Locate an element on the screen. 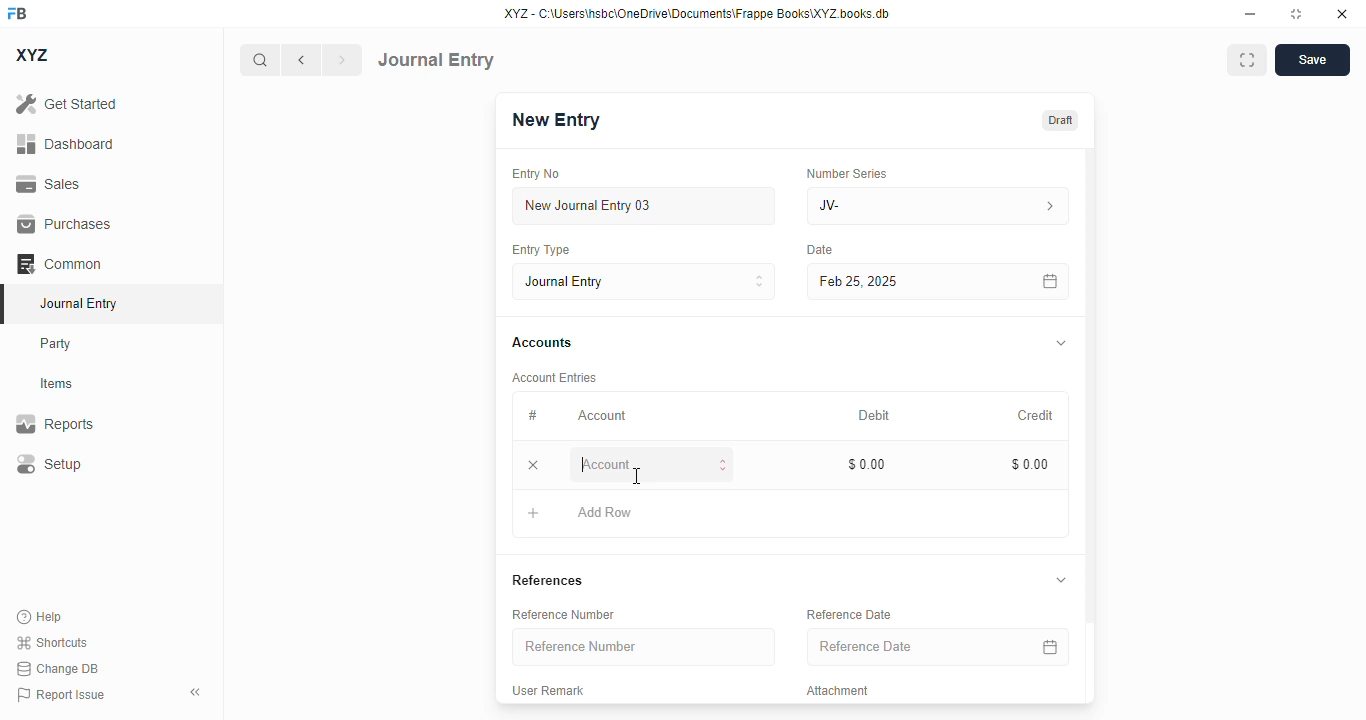 Image resolution: width=1366 pixels, height=720 pixels. account is located at coordinates (602, 416).